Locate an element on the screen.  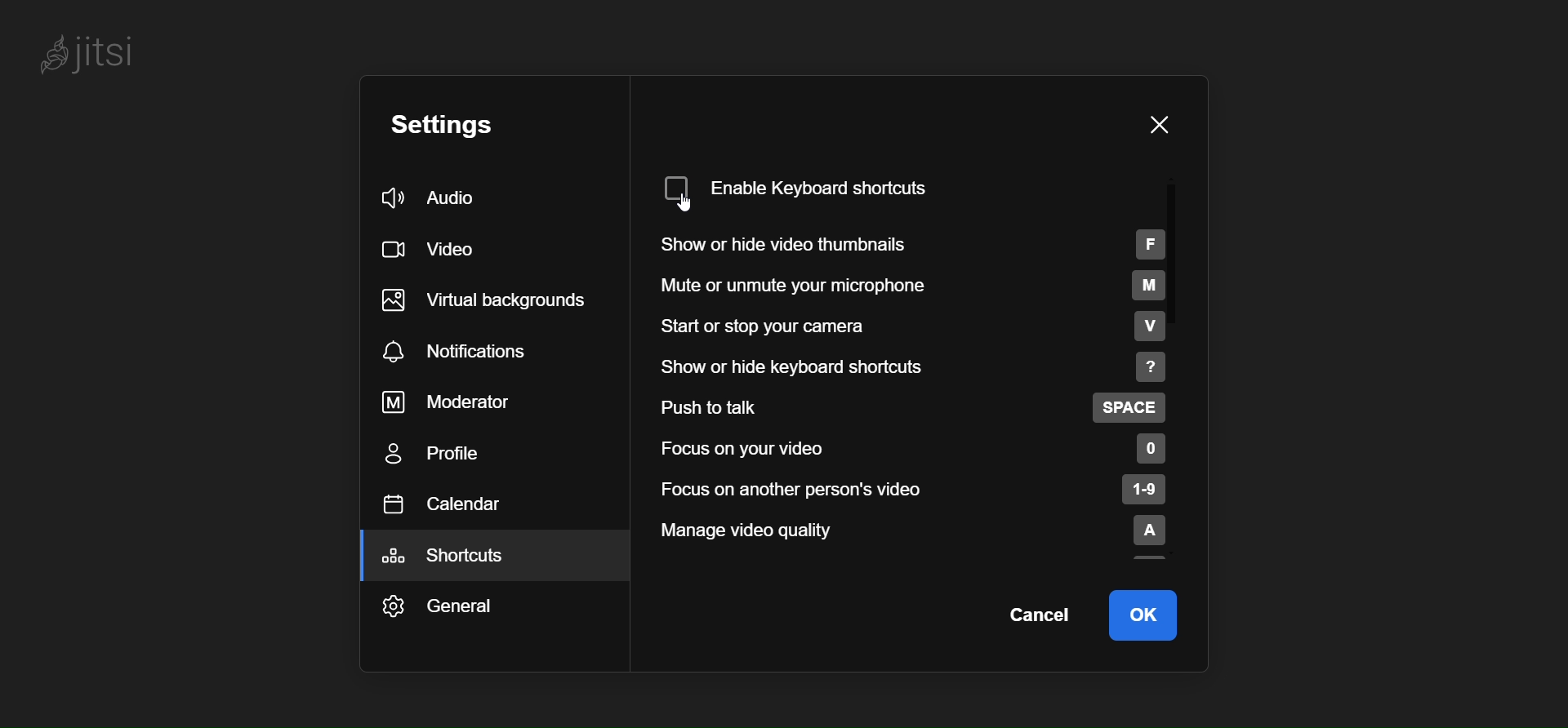
virtual background is located at coordinates (495, 299).